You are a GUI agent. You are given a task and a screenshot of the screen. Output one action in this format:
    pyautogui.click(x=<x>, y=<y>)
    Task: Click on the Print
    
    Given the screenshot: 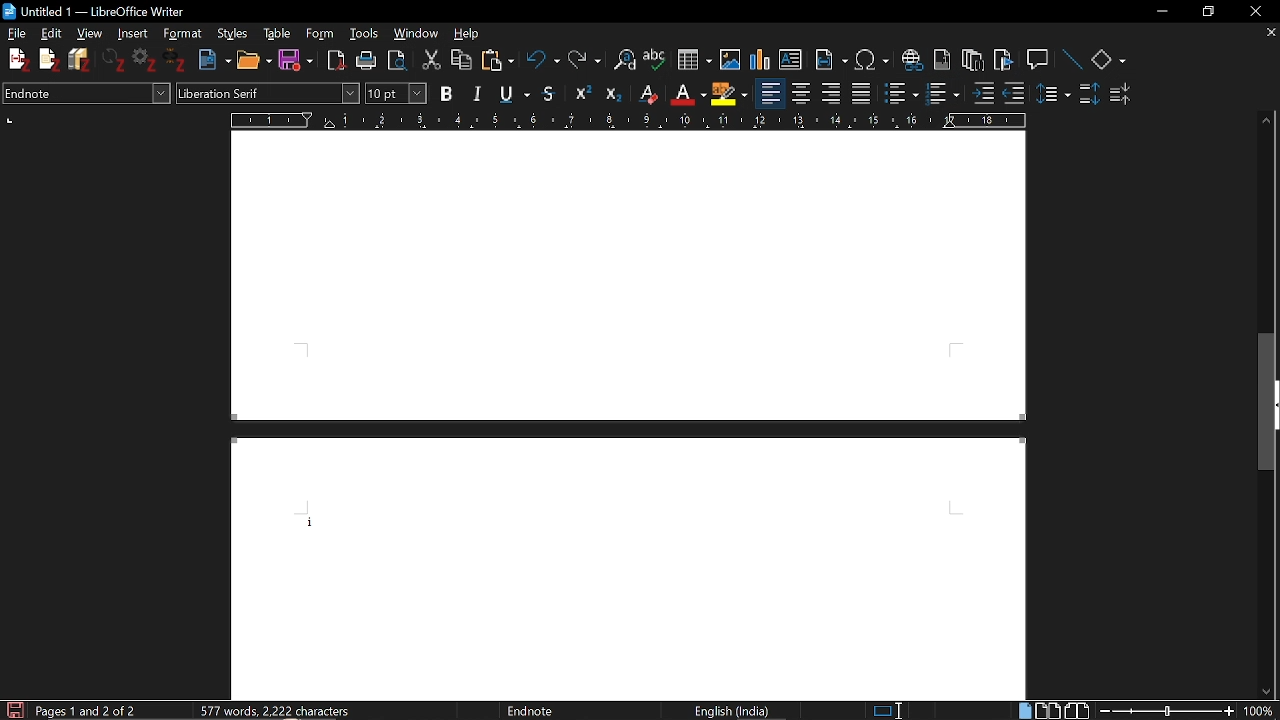 What is the action you would take?
    pyautogui.click(x=367, y=59)
    